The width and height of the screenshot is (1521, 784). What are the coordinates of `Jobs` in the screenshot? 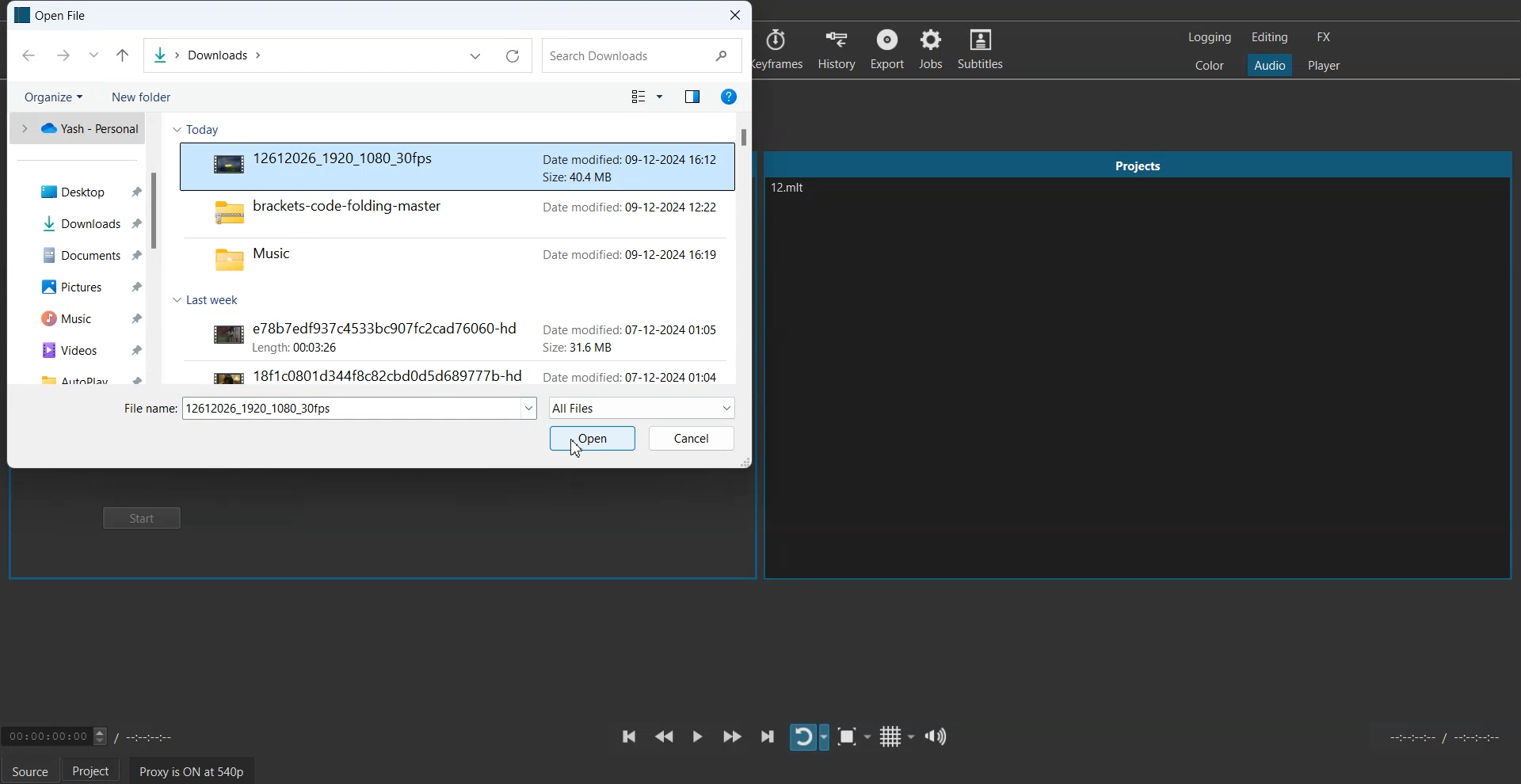 It's located at (930, 49).